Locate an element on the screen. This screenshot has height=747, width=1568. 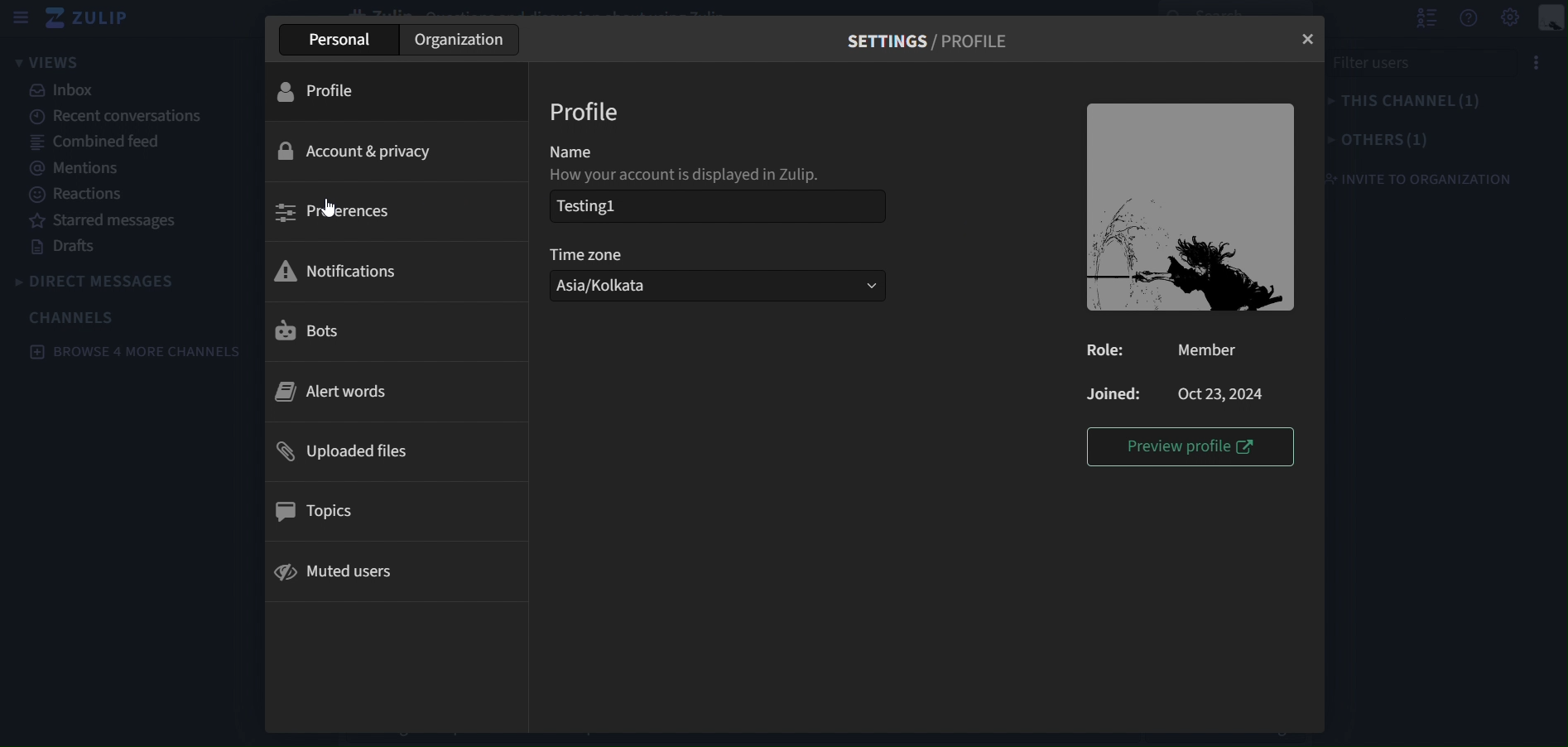
this channels is located at coordinates (1416, 102).